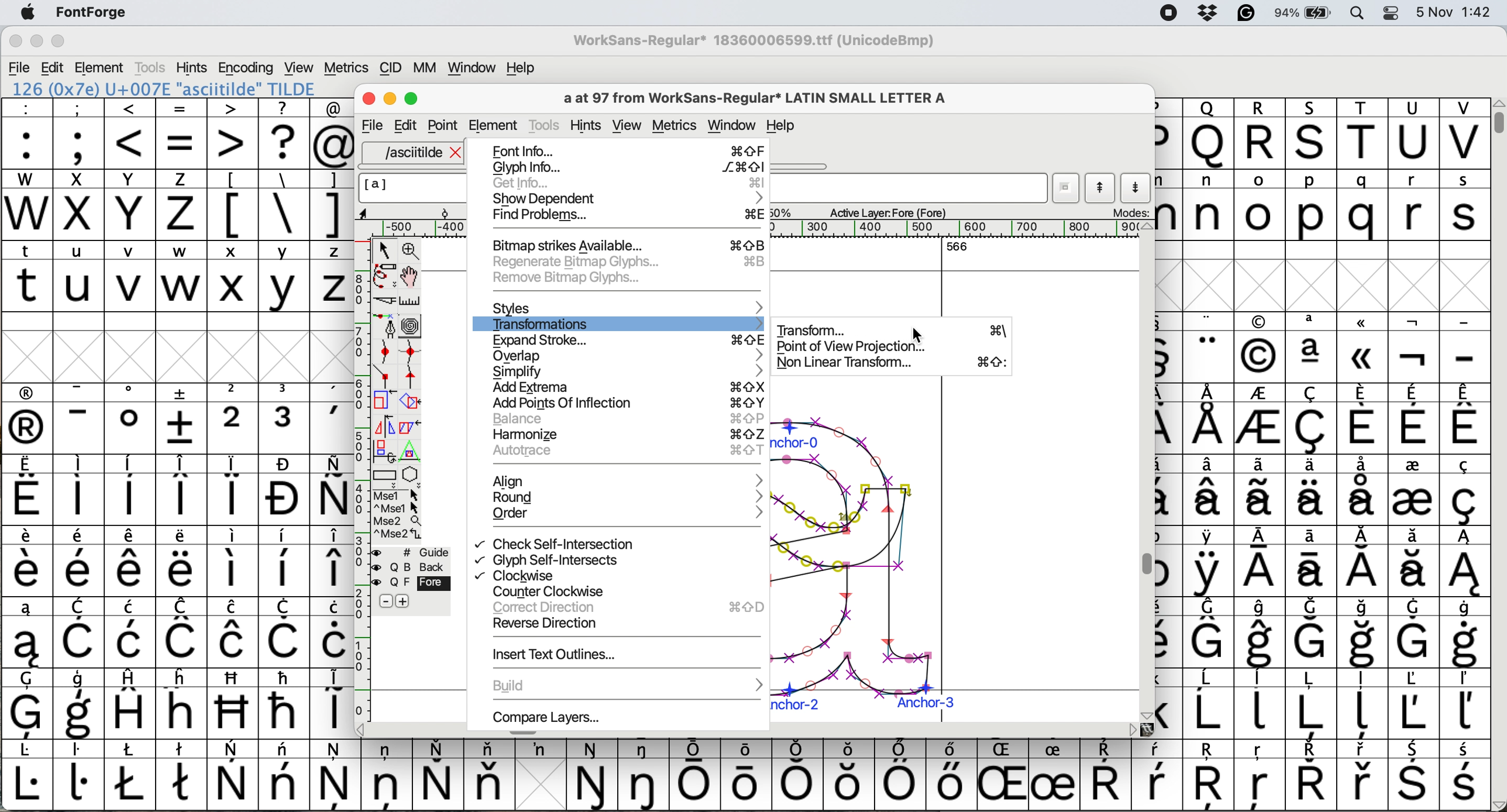 The image size is (1507, 812). I want to click on correct direction, so click(620, 607).